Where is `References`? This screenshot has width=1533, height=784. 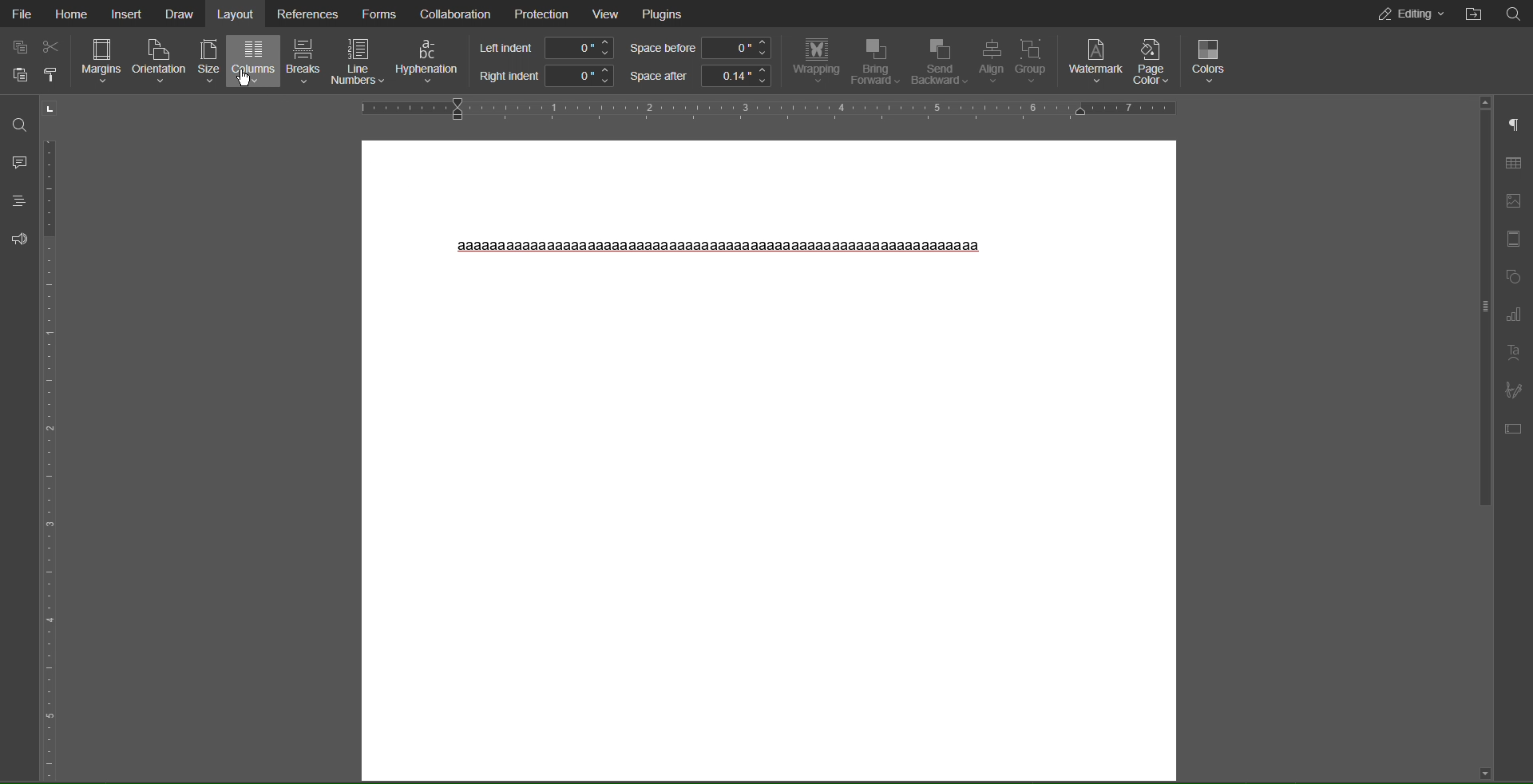 References is located at coordinates (310, 13).